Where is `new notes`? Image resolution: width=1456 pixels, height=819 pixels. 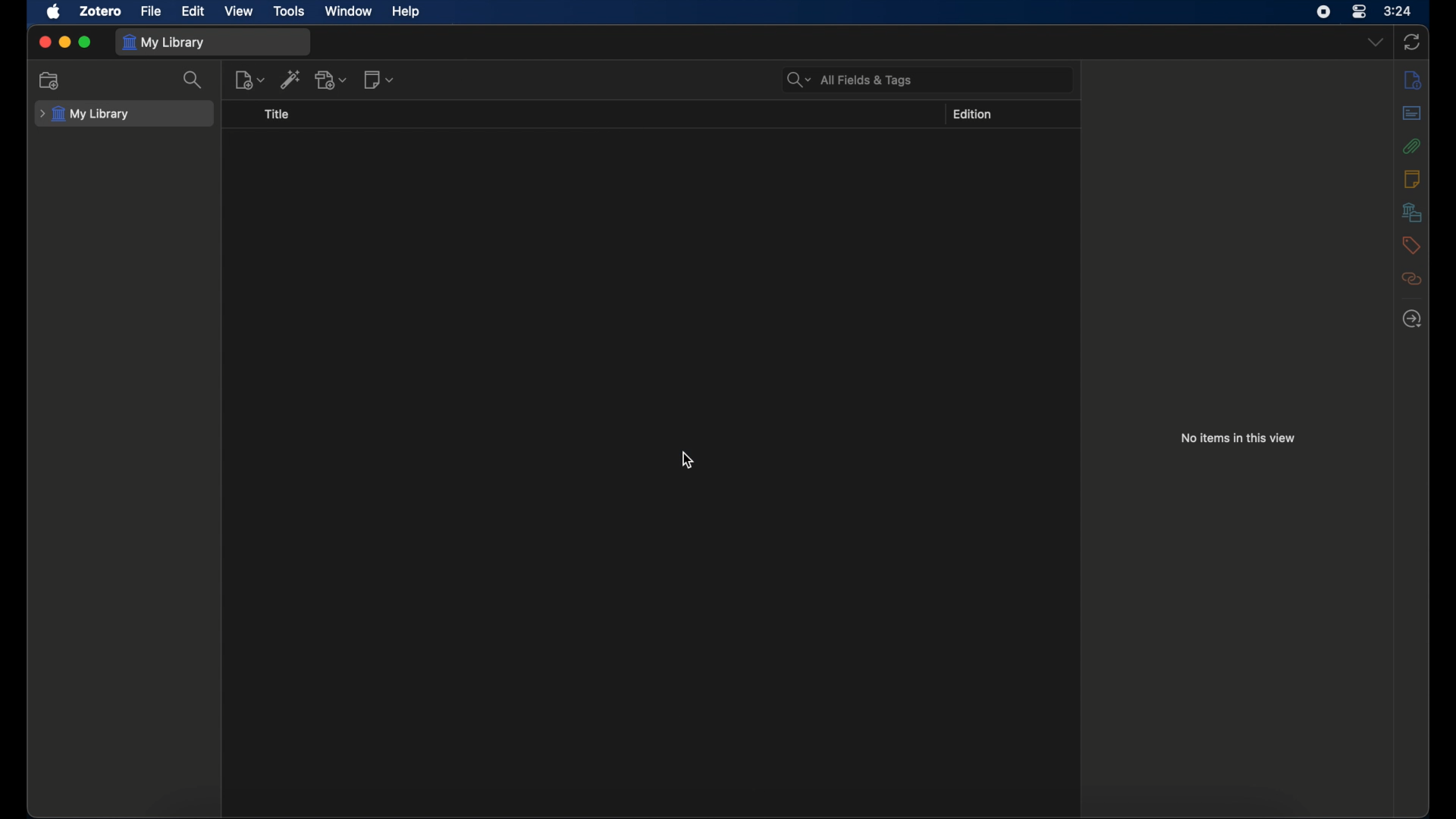 new notes is located at coordinates (381, 80).